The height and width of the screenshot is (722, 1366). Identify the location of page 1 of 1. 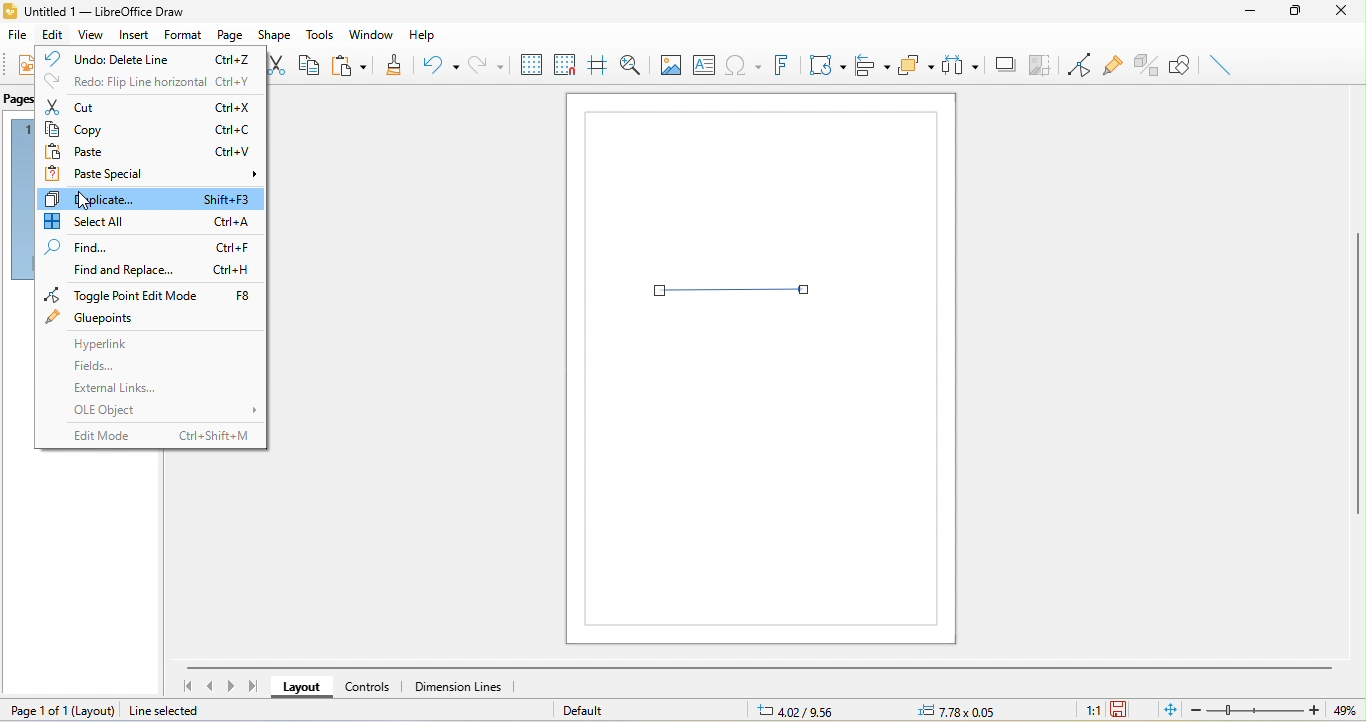
(63, 710).